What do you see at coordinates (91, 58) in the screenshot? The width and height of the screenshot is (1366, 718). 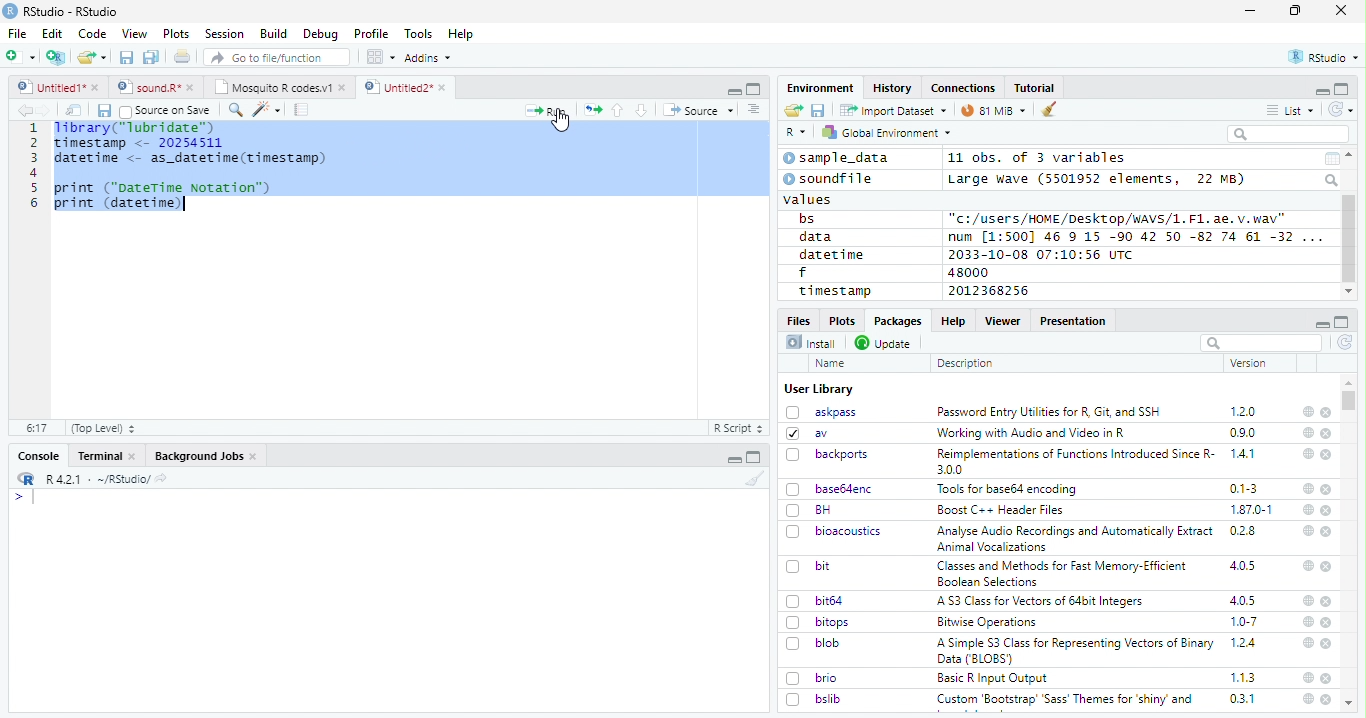 I see `open an existing file` at bounding box center [91, 58].